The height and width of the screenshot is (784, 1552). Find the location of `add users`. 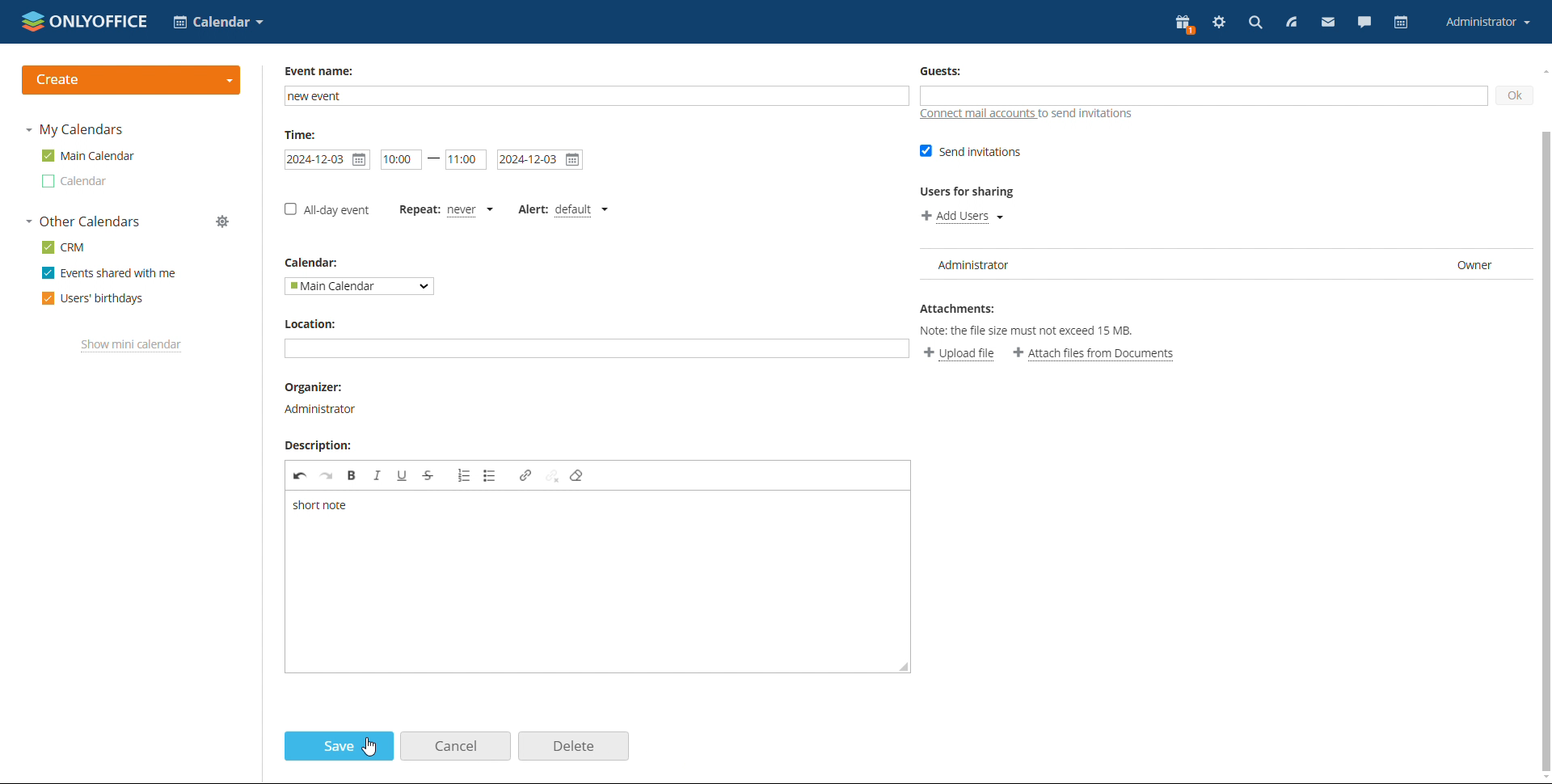

add users is located at coordinates (963, 217).